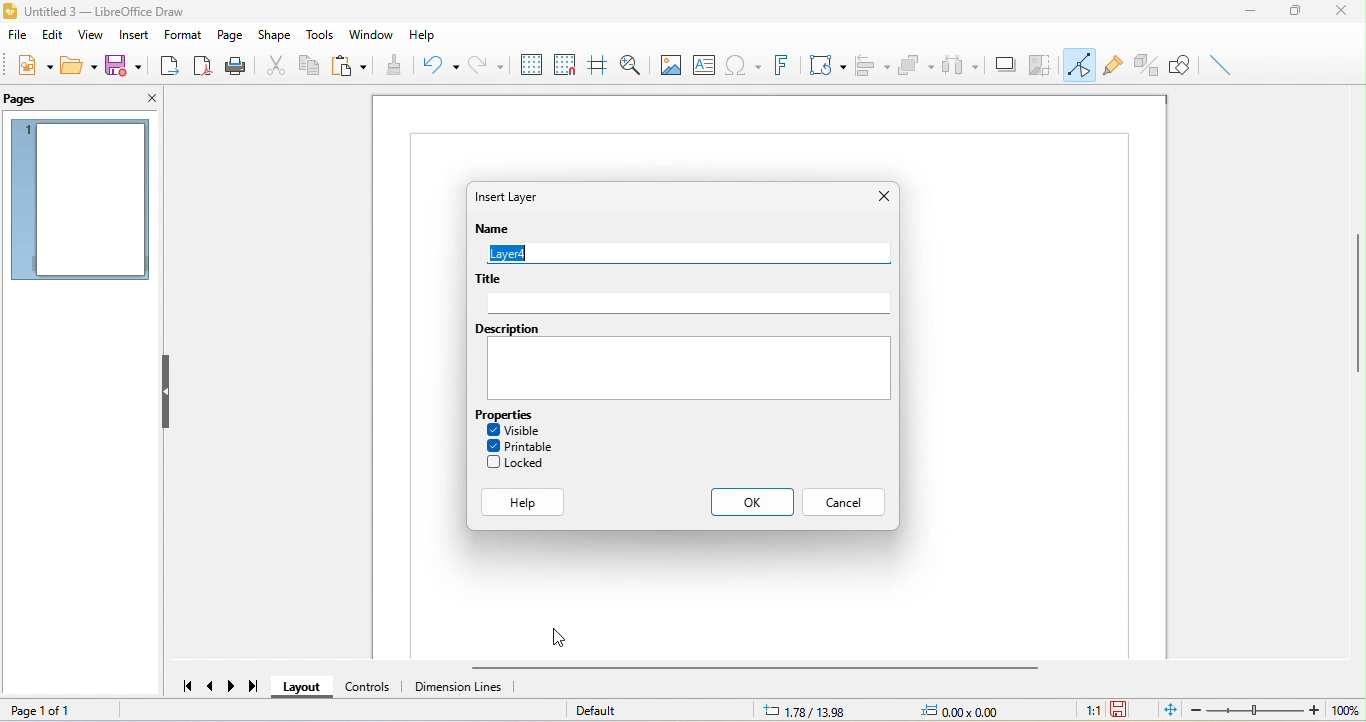  What do you see at coordinates (491, 279) in the screenshot?
I see `title` at bounding box center [491, 279].